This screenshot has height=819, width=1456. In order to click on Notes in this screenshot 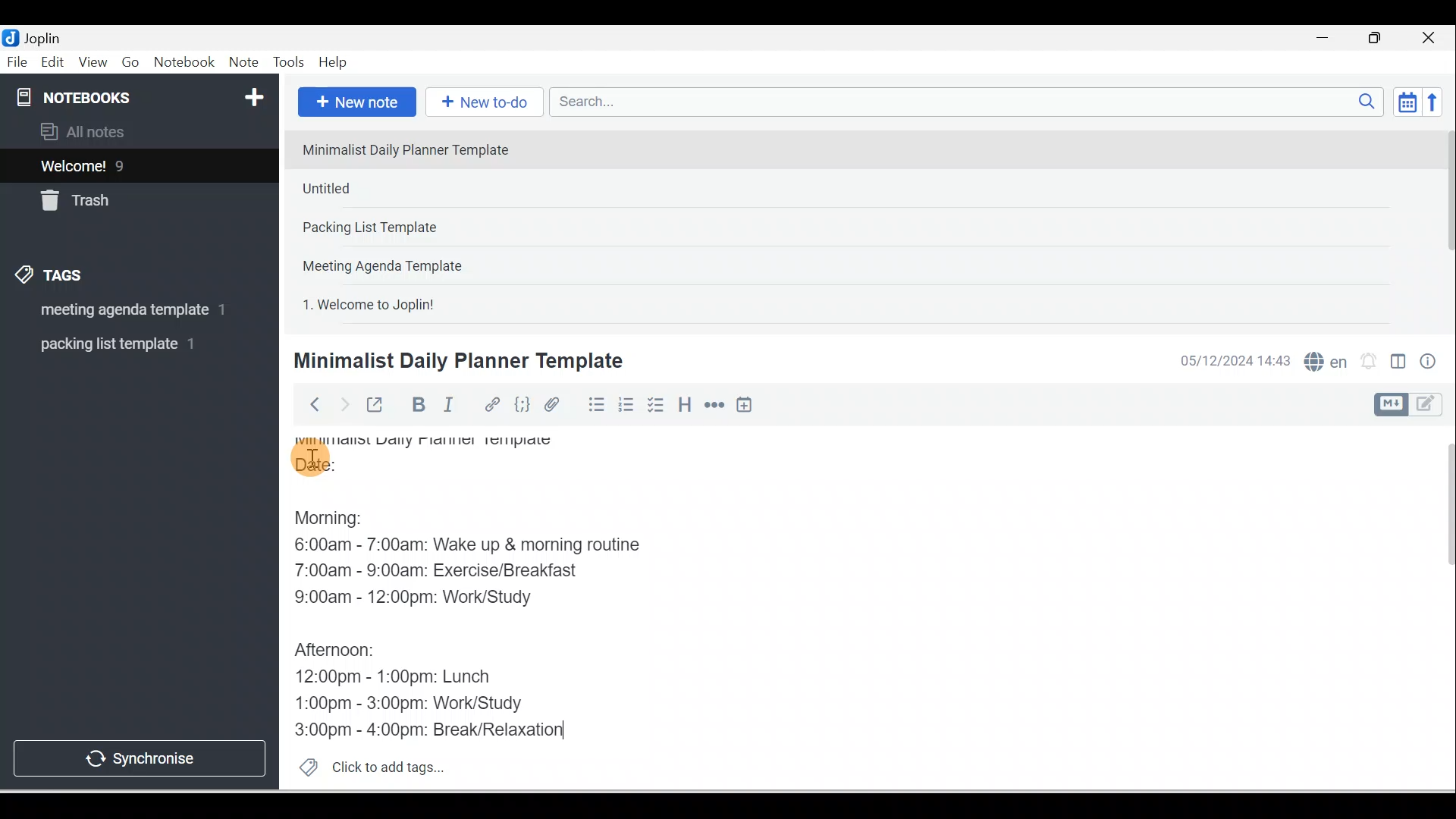, I will do `click(128, 162)`.